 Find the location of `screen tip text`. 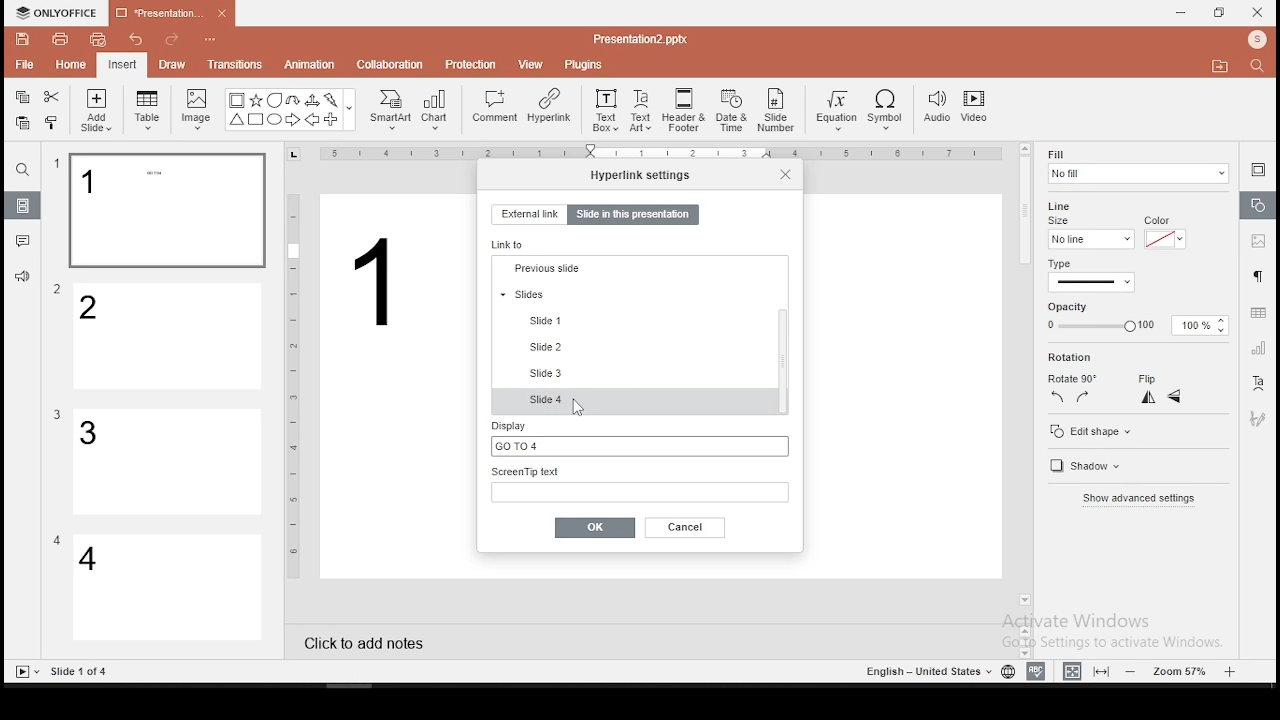

screen tip text is located at coordinates (640, 483).